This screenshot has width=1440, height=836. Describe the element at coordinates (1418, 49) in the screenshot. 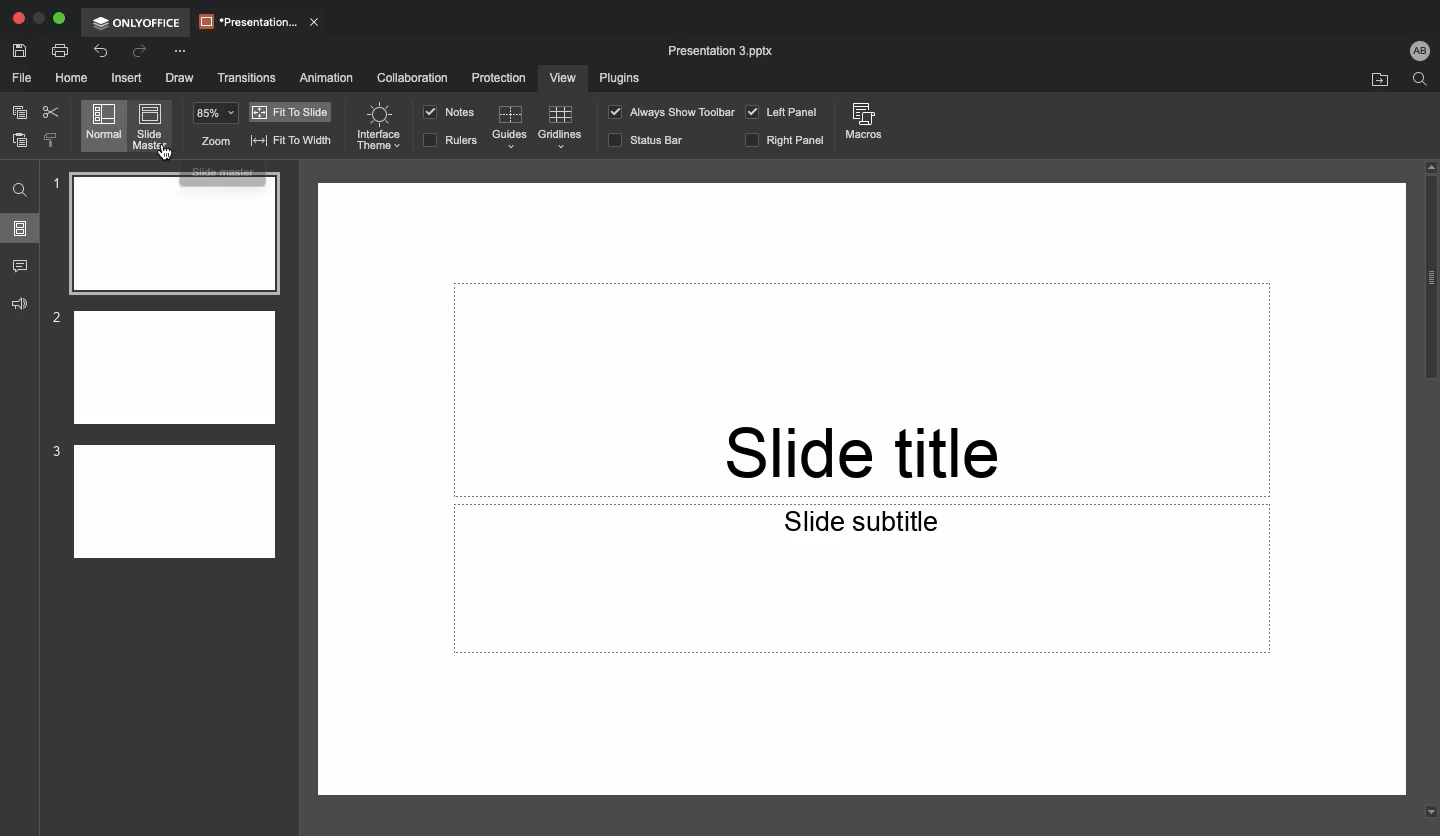

I see `User` at that location.